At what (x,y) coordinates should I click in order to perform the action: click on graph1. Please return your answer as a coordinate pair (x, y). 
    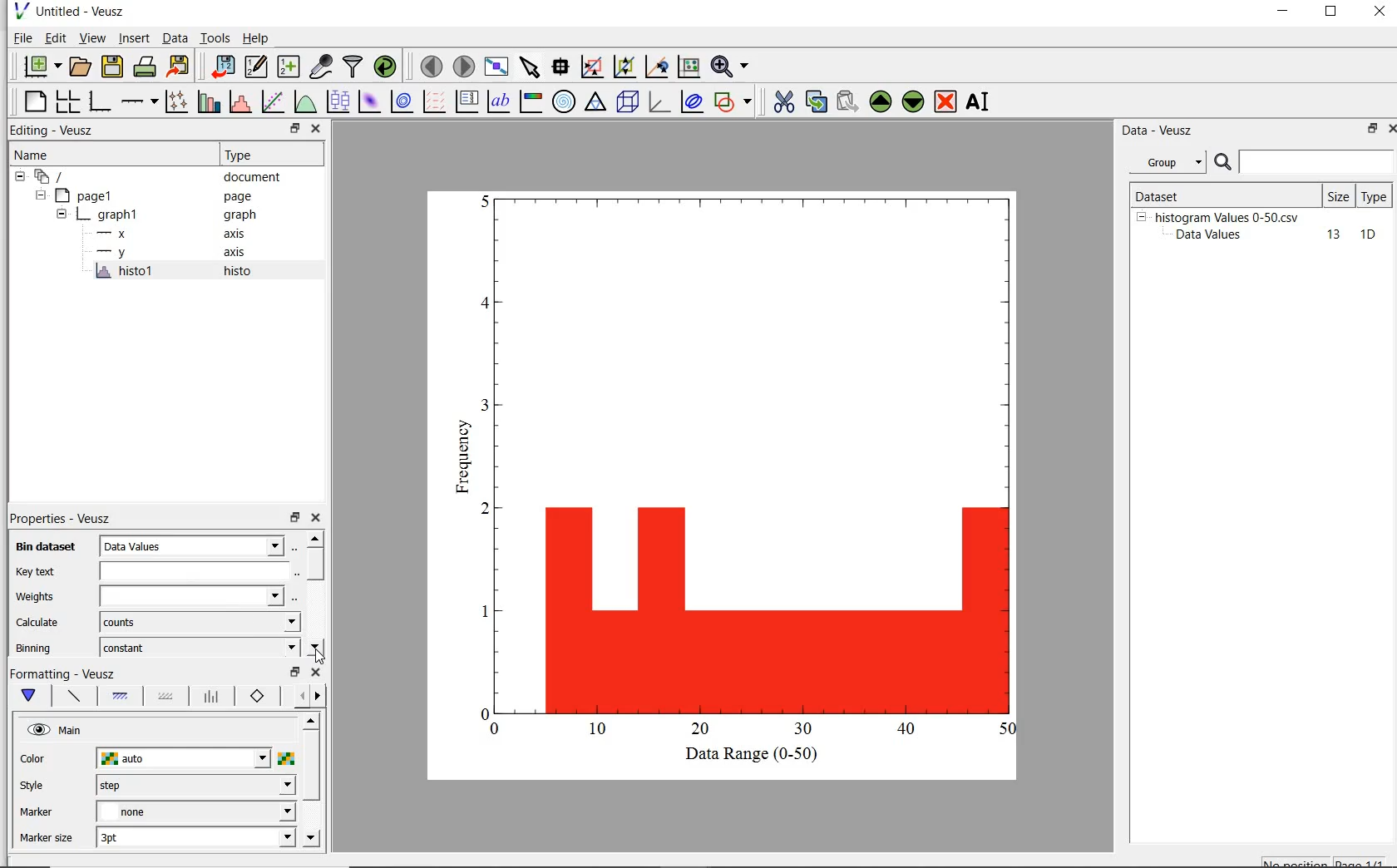
    Looking at the image, I should click on (111, 217).